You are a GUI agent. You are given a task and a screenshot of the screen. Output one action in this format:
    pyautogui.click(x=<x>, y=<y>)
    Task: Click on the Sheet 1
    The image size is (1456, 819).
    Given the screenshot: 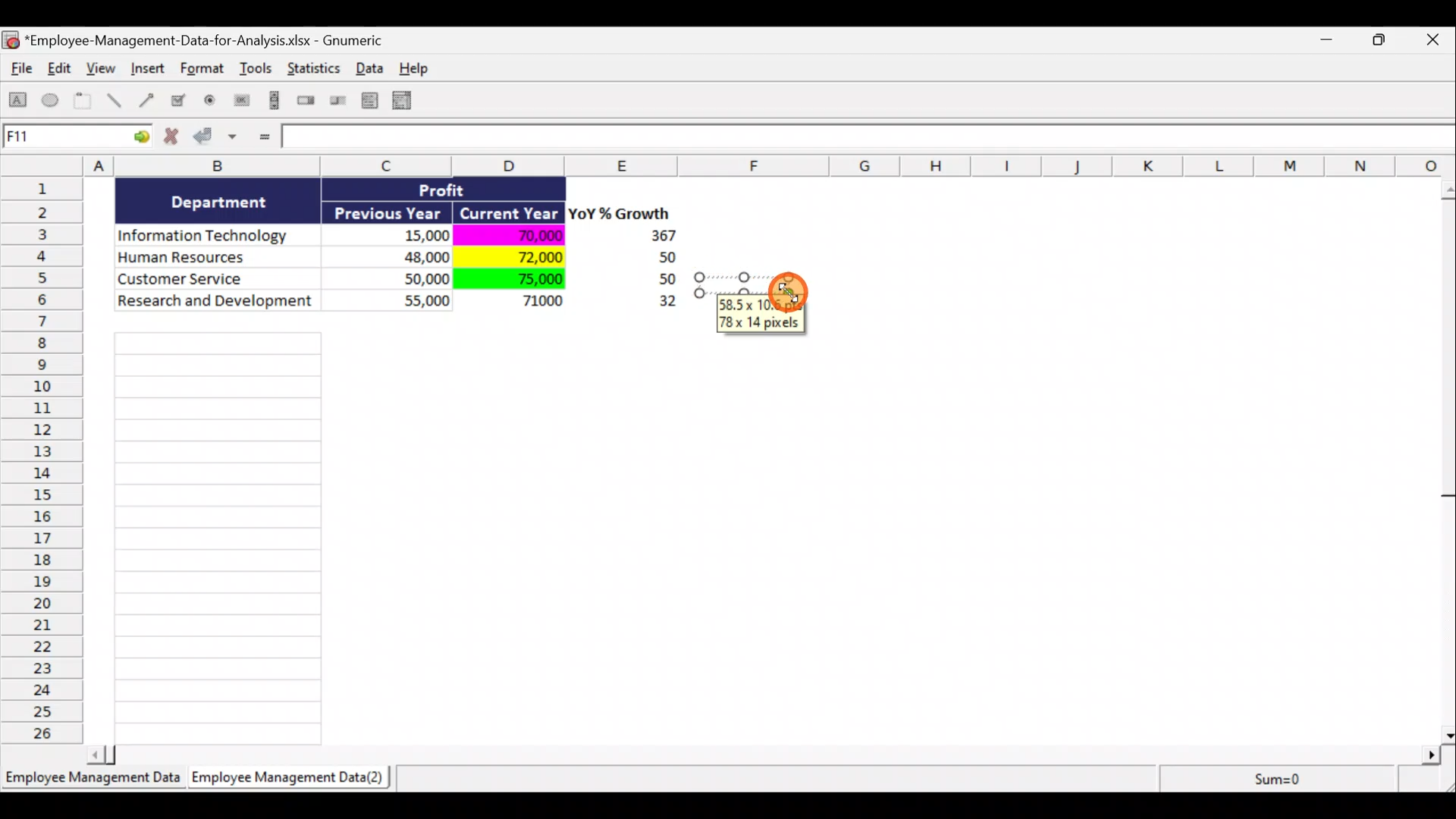 What is the action you would take?
    pyautogui.click(x=95, y=783)
    